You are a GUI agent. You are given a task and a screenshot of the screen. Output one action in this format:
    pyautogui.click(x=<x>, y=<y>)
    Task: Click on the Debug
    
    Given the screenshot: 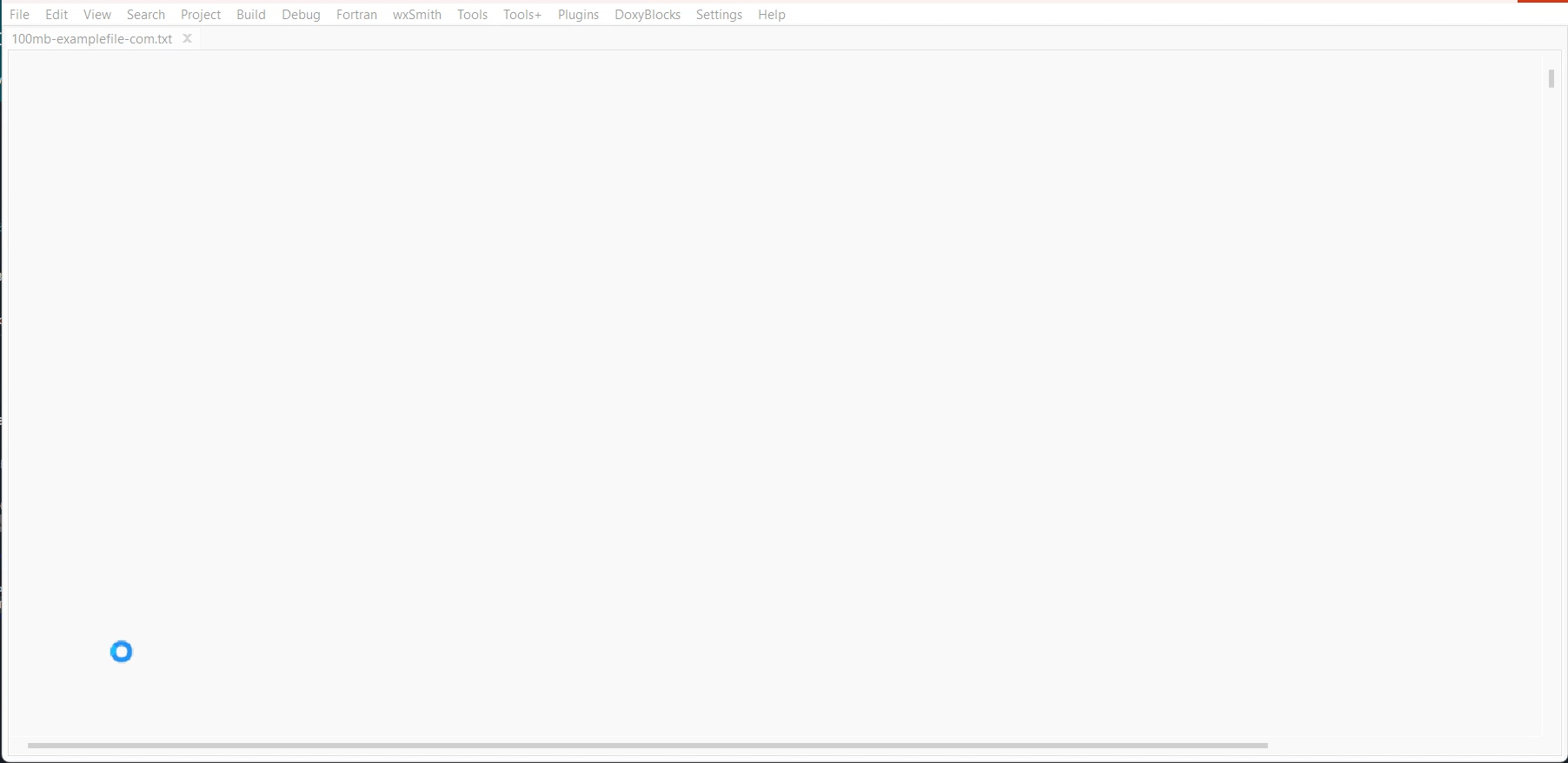 What is the action you would take?
    pyautogui.click(x=301, y=15)
    